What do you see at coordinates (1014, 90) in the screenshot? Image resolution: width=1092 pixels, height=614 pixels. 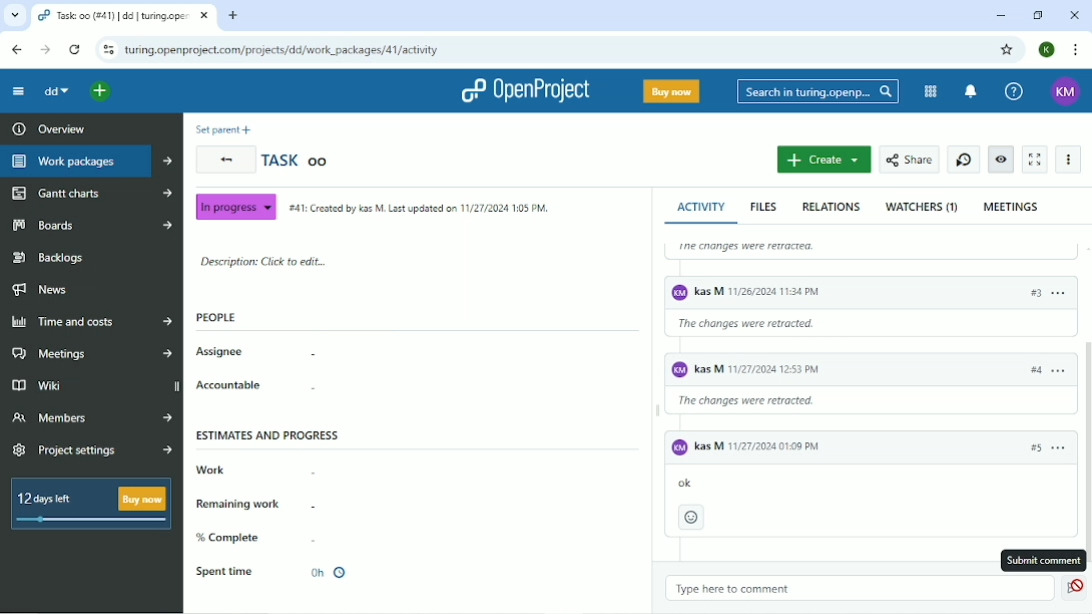 I see `Help` at bounding box center [1014, 90].